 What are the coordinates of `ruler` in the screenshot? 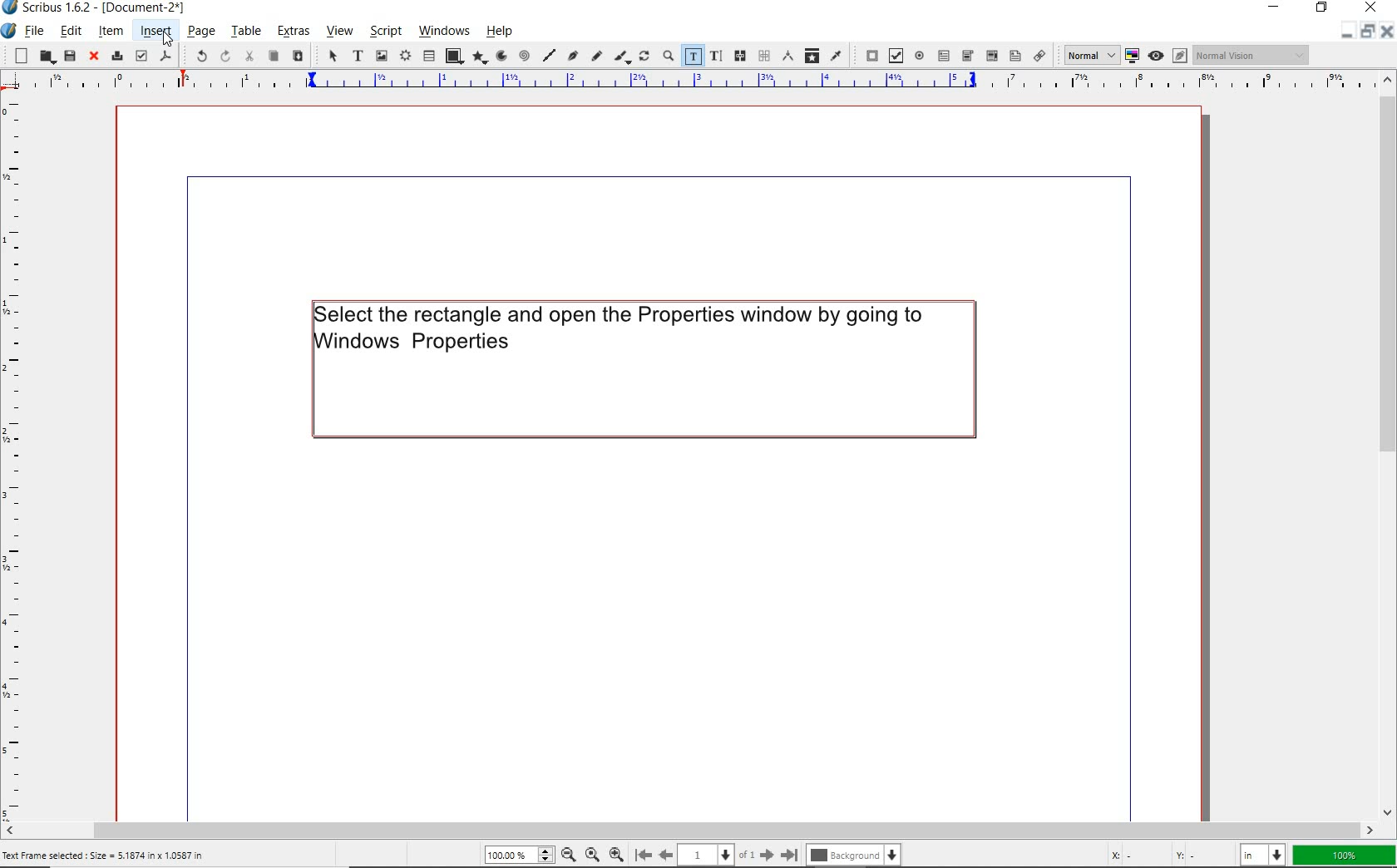 It's located at (14, 460).